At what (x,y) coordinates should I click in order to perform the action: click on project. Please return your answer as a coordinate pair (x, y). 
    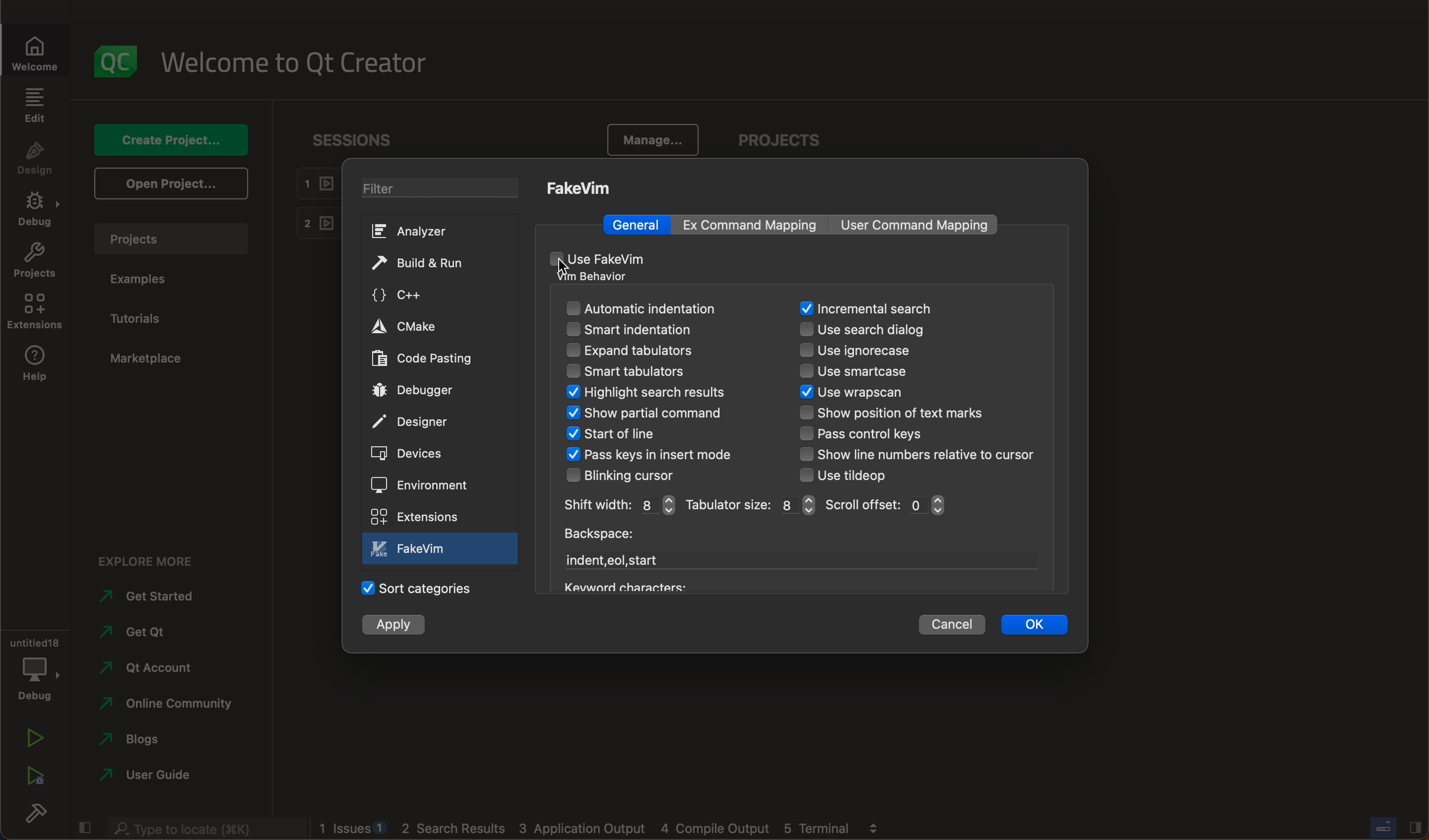
    Looking at the image, I should click on (169, 238).